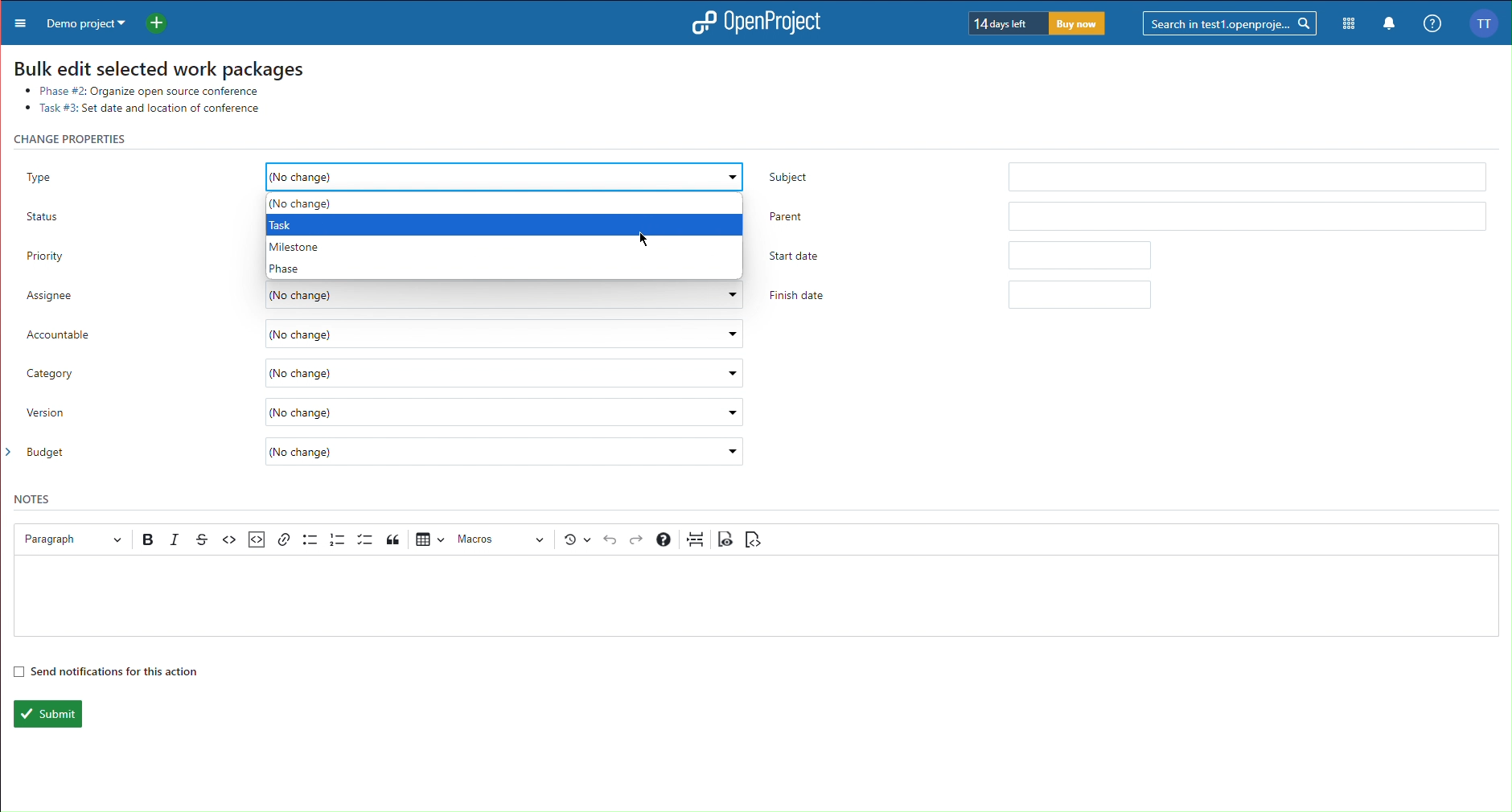  What do you see at coordinates (577, 539) in the screenshot?
I see `Versions` at bounding box center [577, 539].